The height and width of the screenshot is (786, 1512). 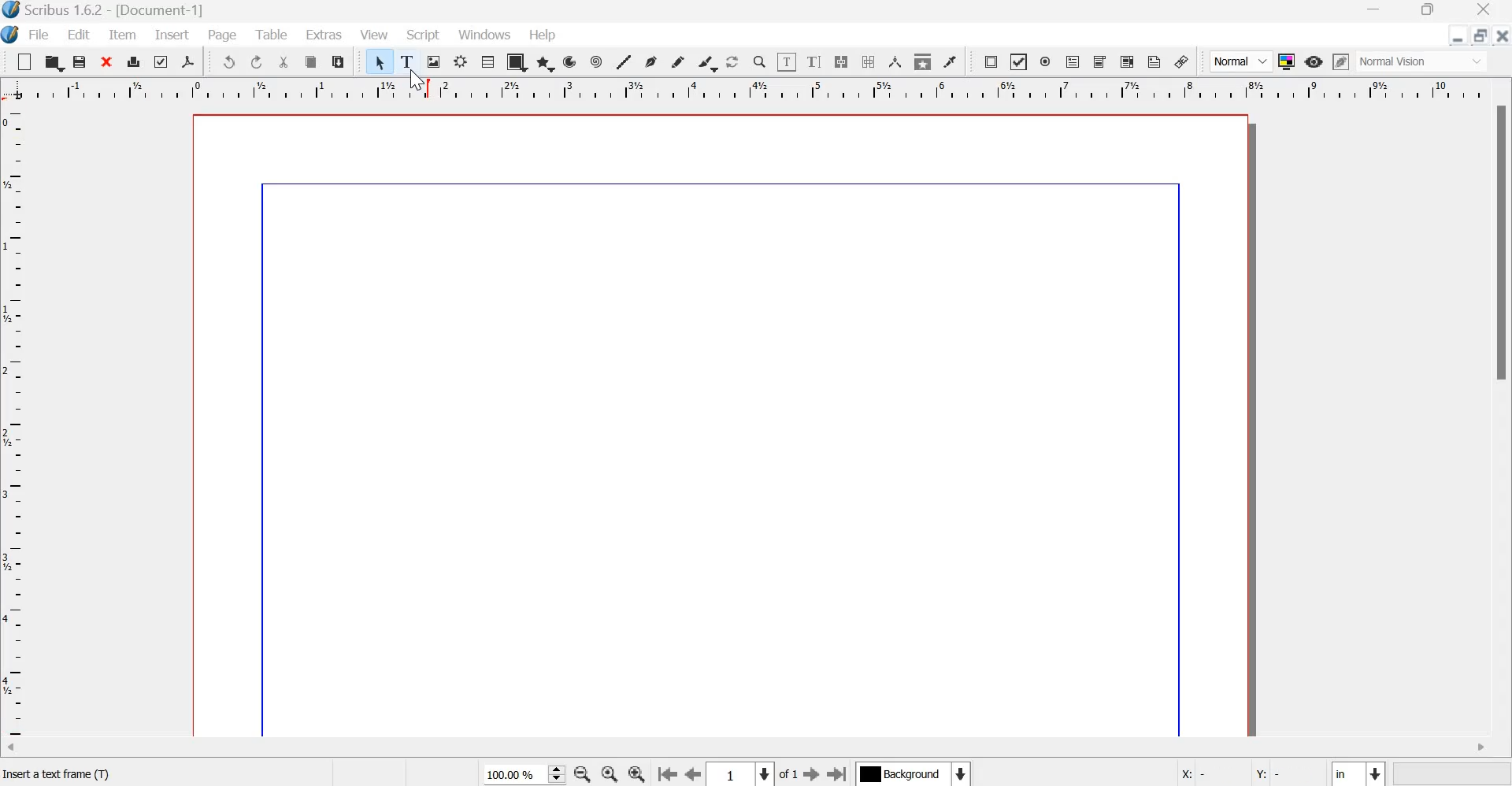 What do you see at coordinates (923, 61) in the screenshot?
I see `copy item properties` at bounding box center [923, 61].